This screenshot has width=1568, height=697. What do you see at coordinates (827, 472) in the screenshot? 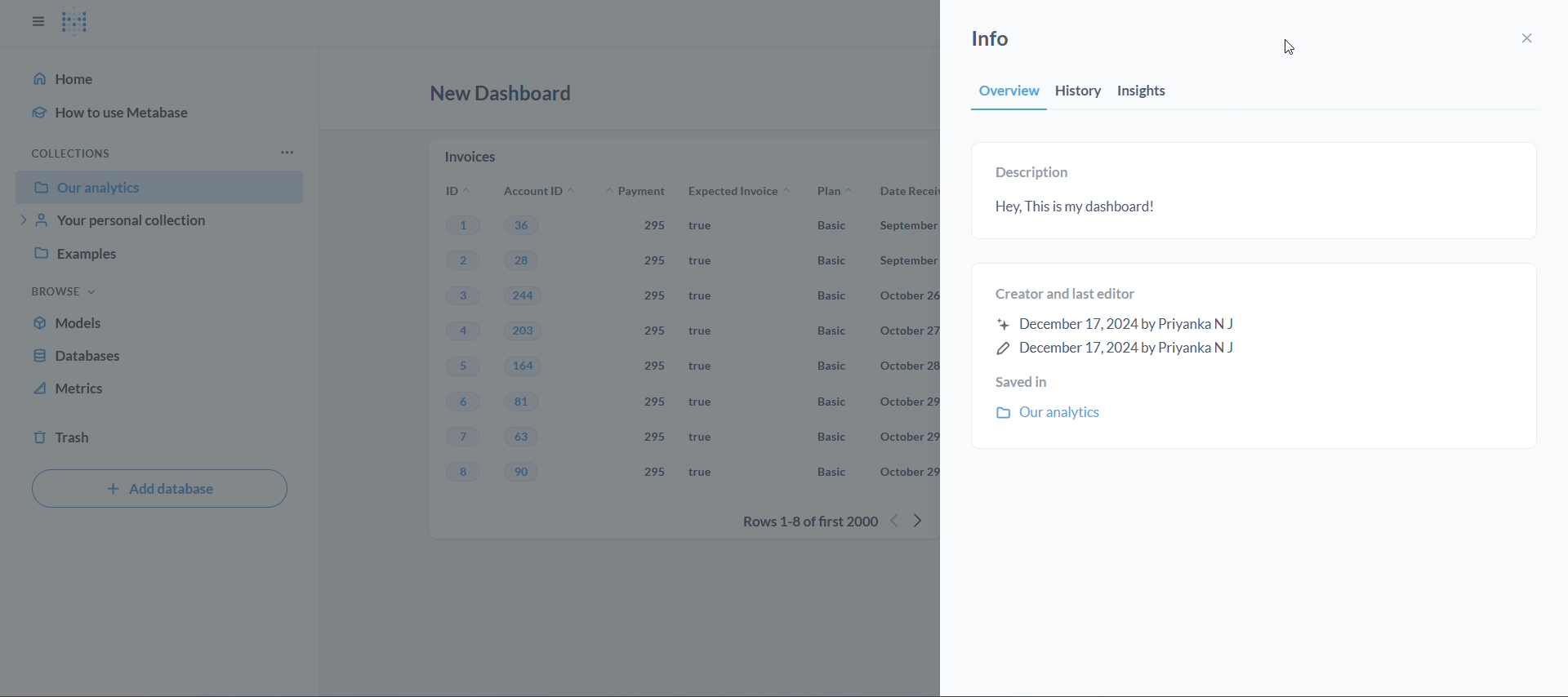
I see `Basic` at bounding box center [827, 472].